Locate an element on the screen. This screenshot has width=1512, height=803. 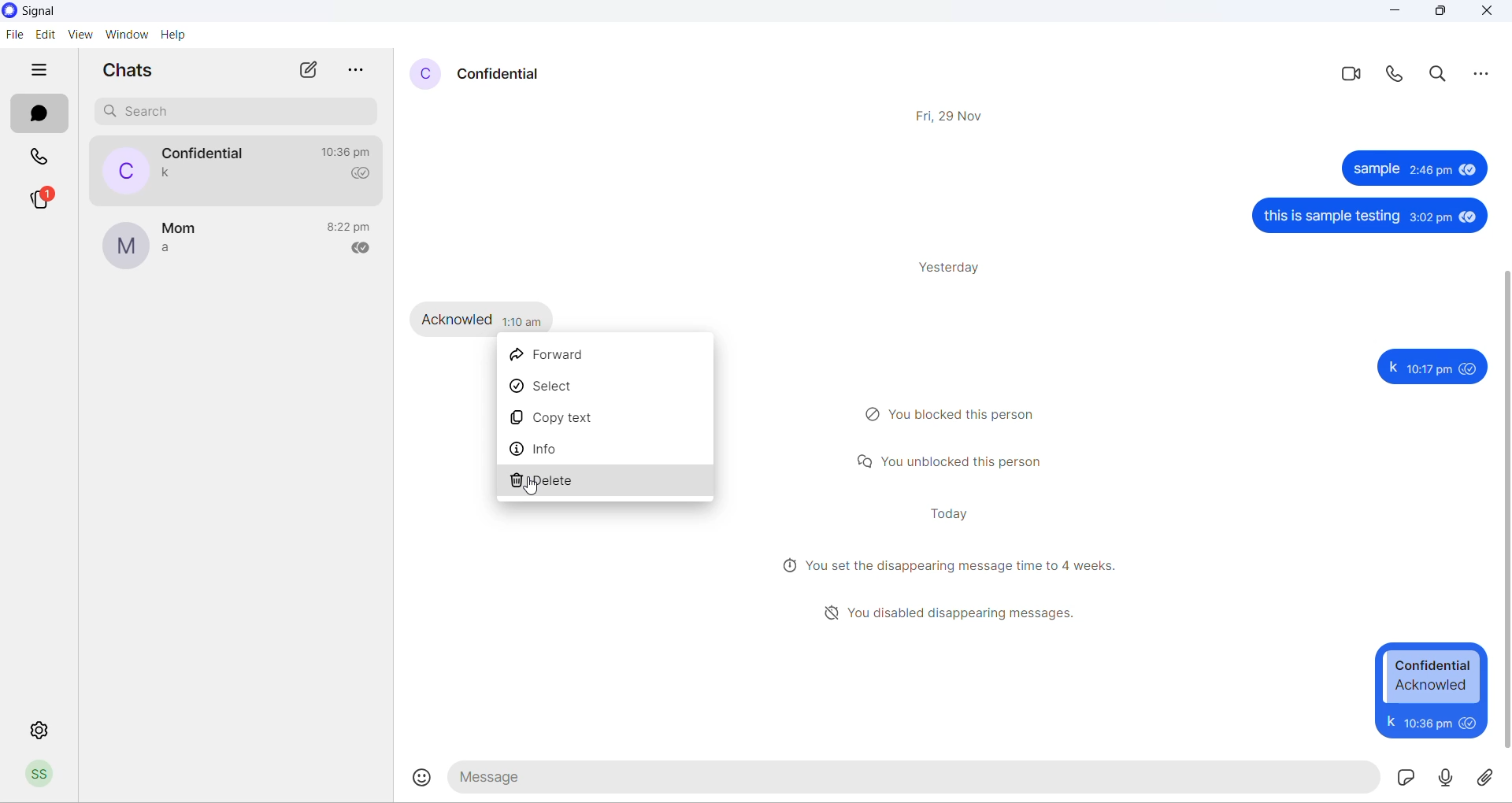
contact name is located at coordinates (206, 154).